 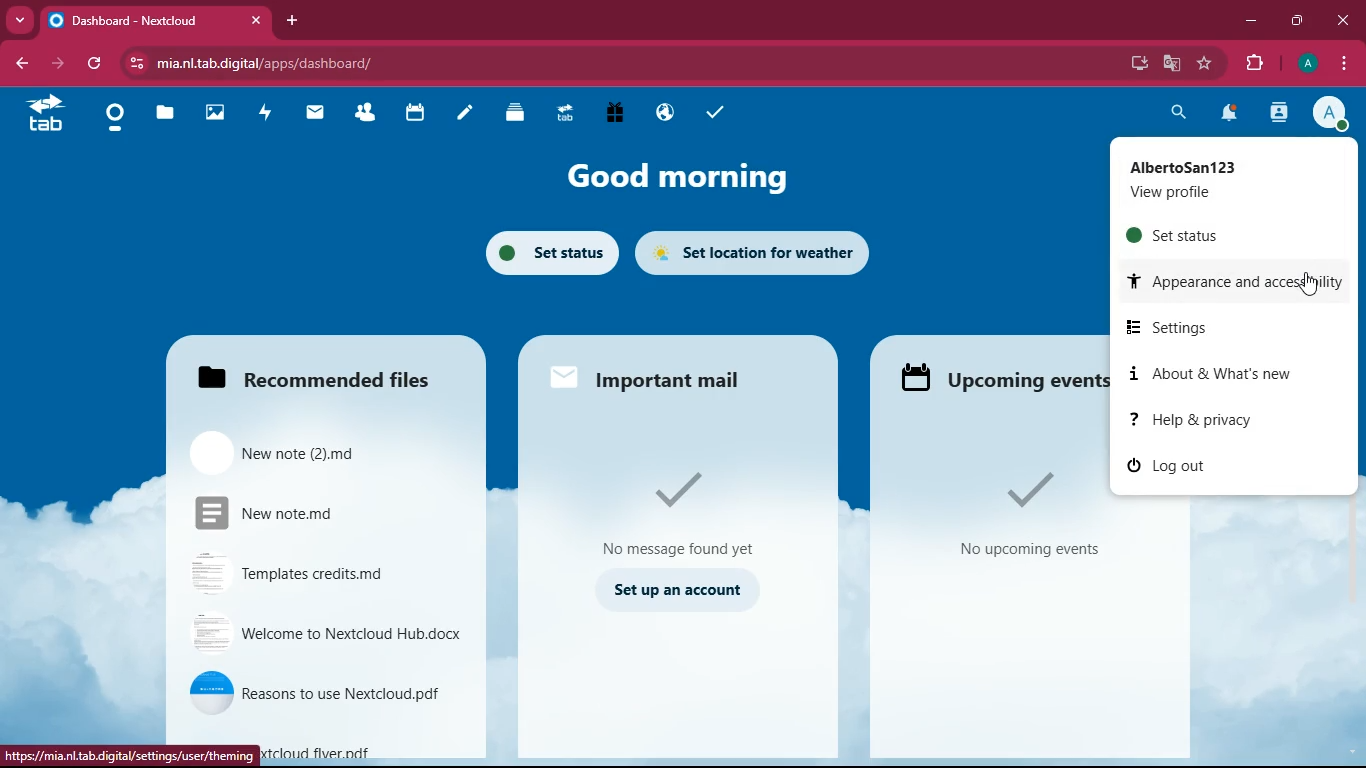 What do you see at coordinates (1185, 470) in the screenshot?
I see `log out` at bounding box center [1185, 470].